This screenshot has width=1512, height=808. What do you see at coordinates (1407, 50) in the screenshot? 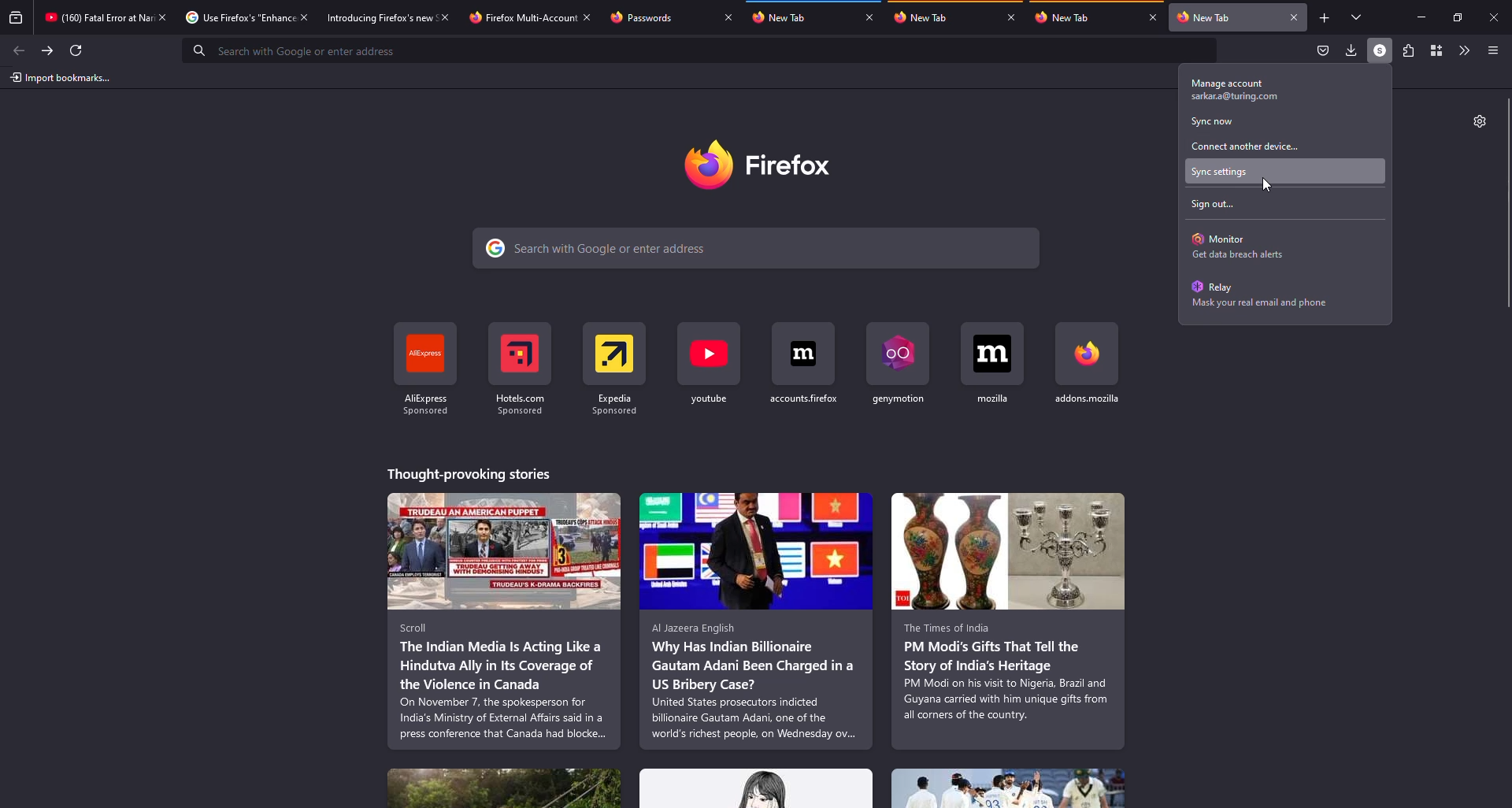
I see `extensions` at bounding box center [1407, 50].